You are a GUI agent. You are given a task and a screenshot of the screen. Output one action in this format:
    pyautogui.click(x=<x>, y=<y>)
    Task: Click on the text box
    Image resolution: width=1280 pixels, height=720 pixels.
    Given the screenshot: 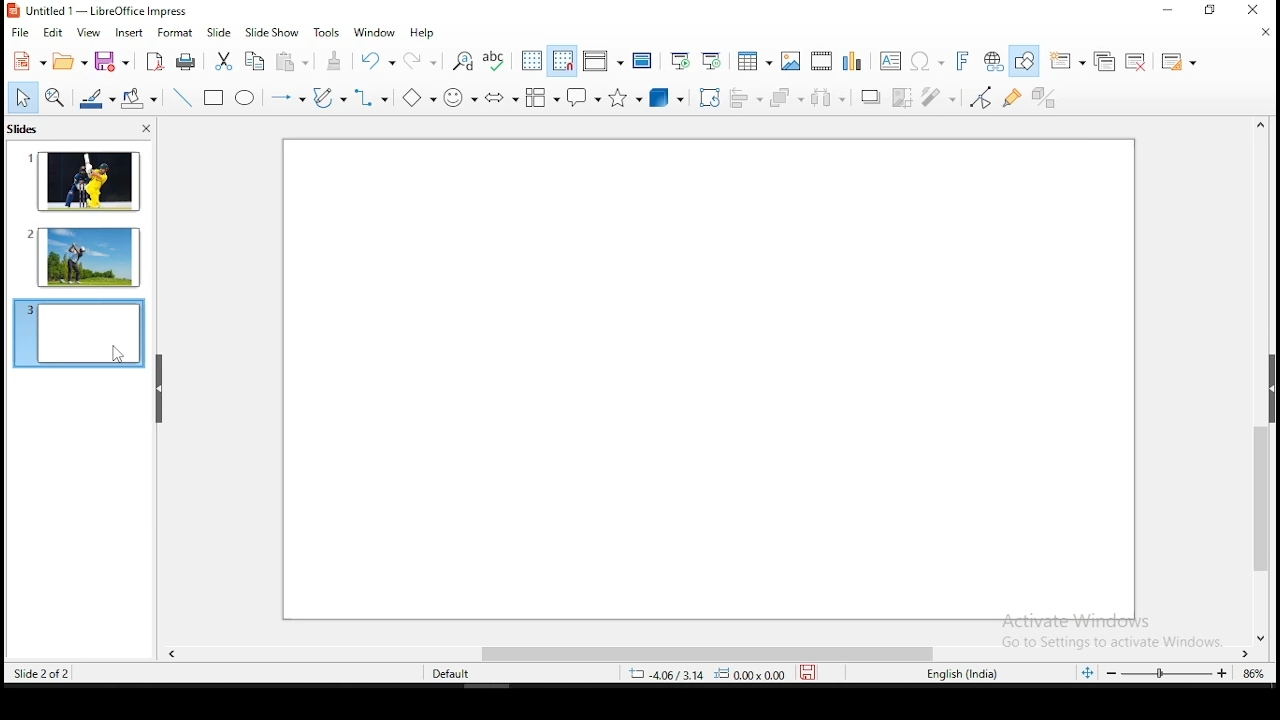 What is the action you would take?
    pyautogui.click(x=888, y=60)
    